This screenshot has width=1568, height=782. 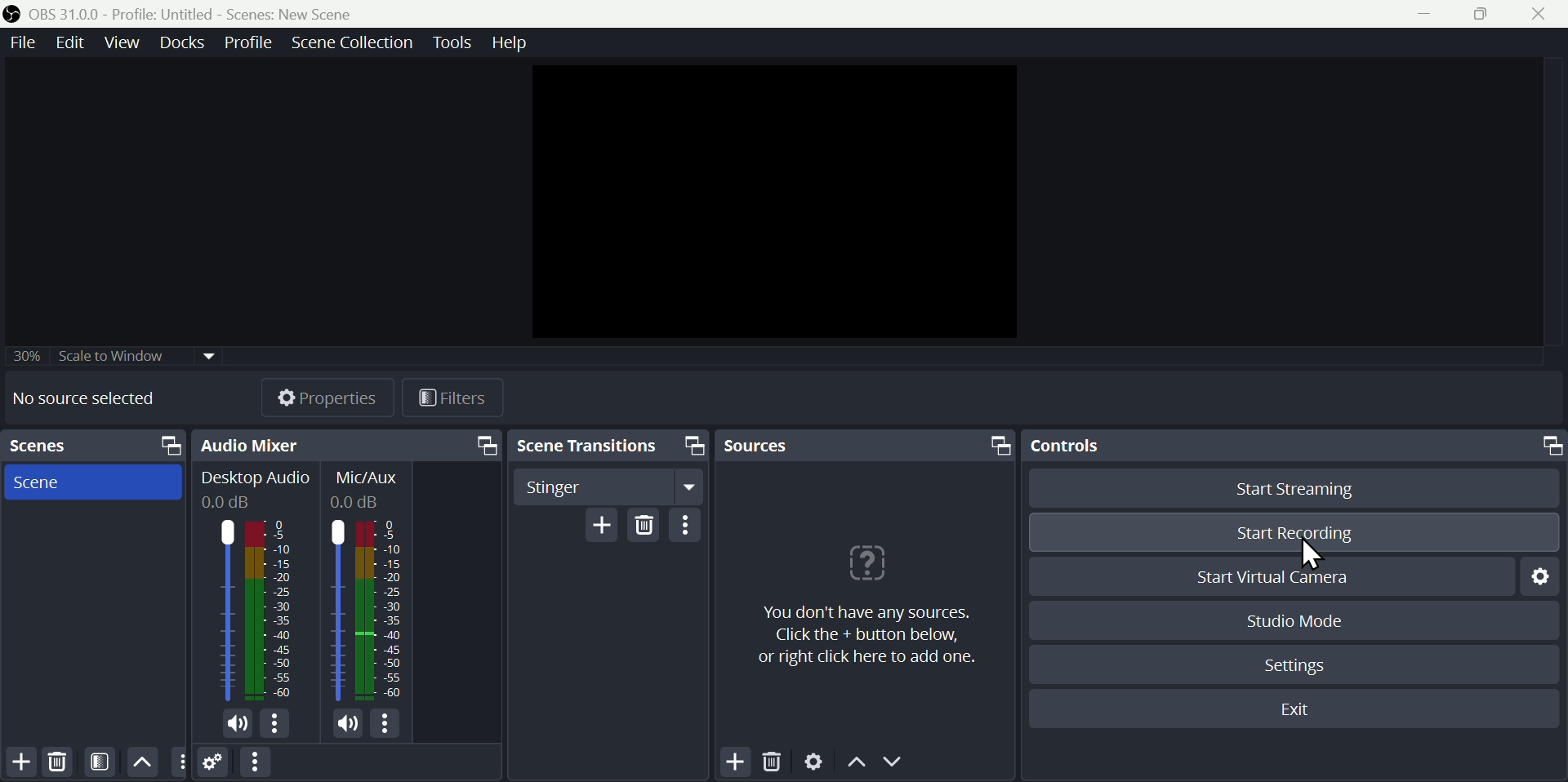 I want to click on 30% Scale to Window , so click(x=112, y=357).